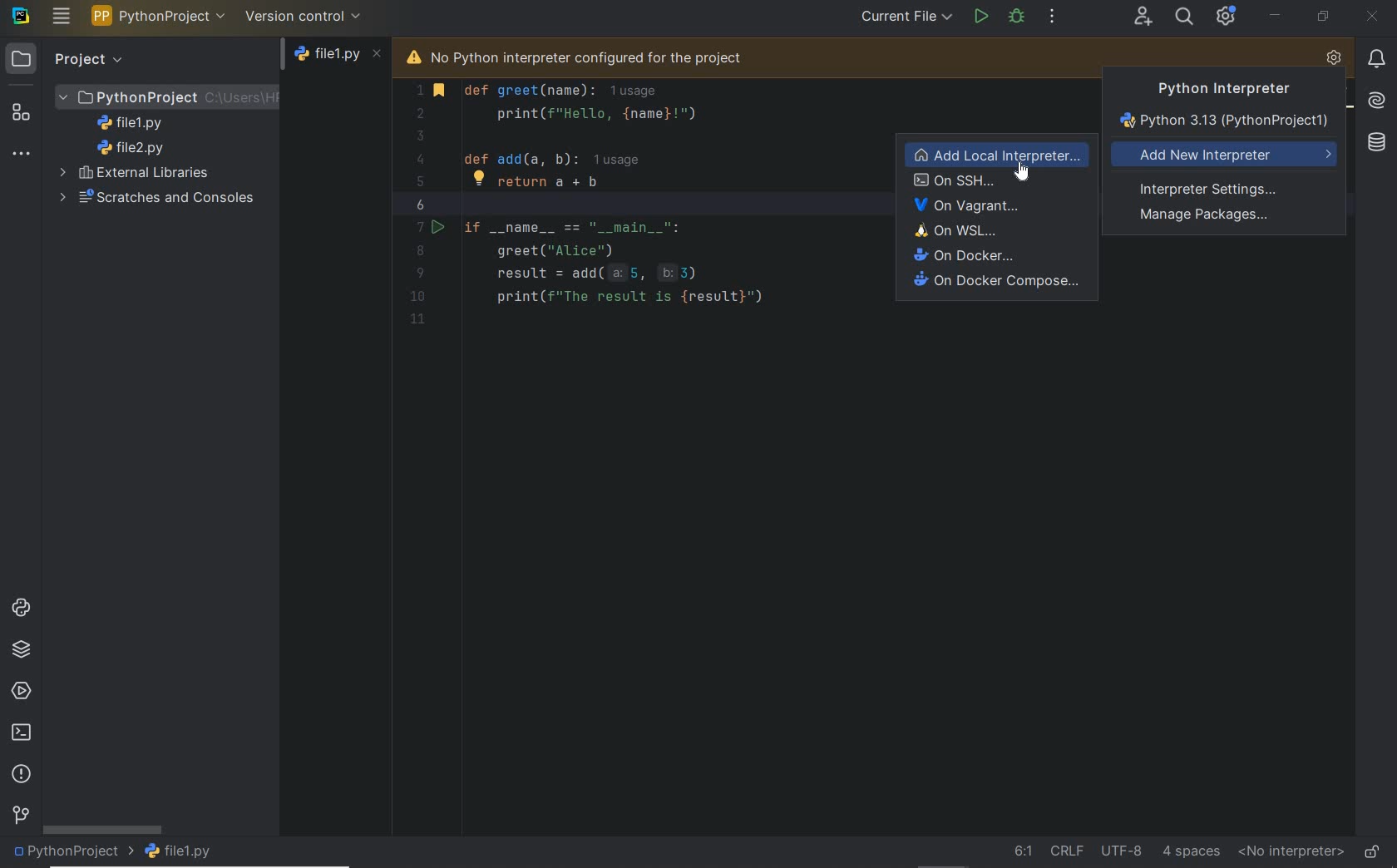  I want to click on On Docker, so click(996, 254).